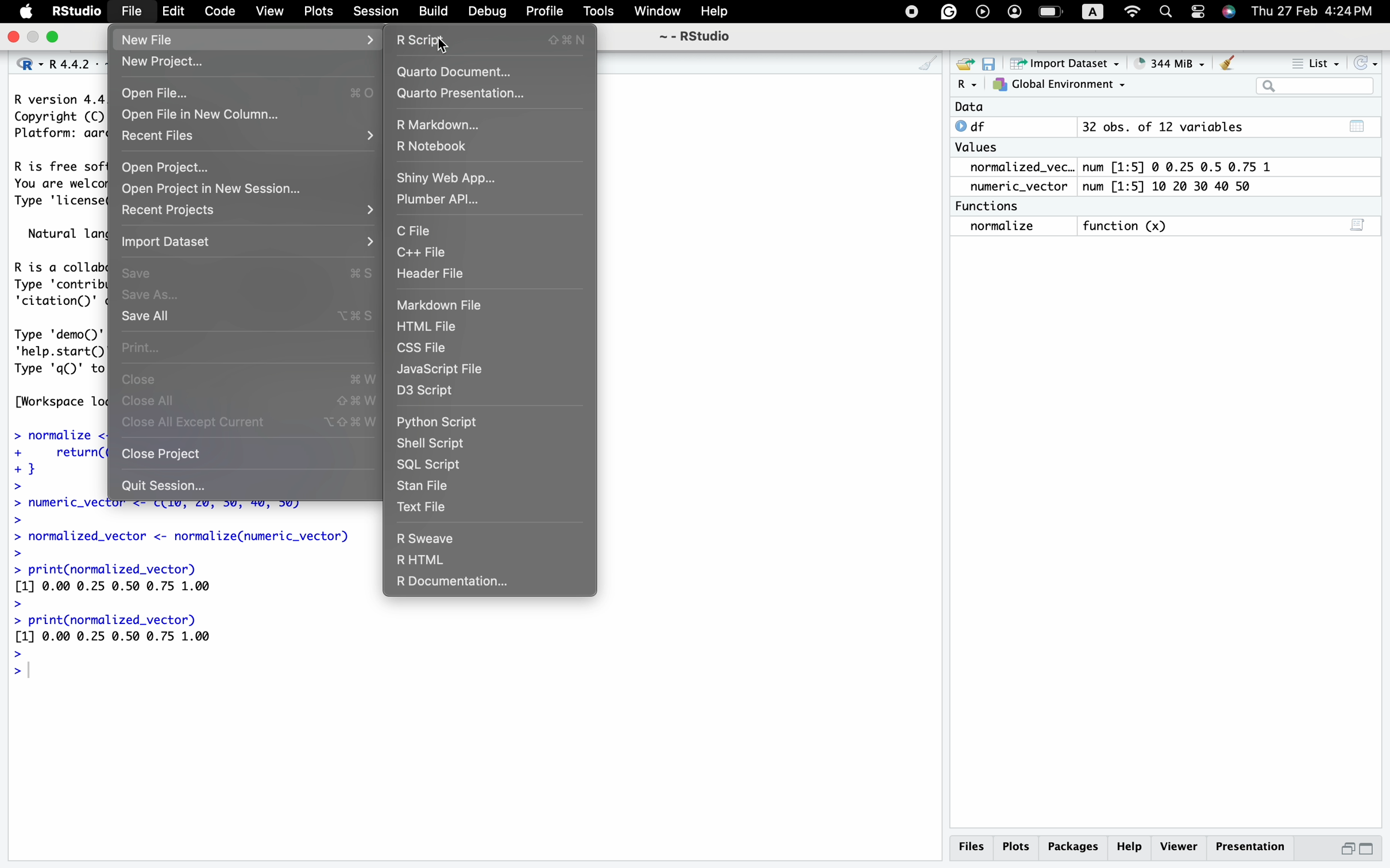  I want to click on control center, so click(911, 12).